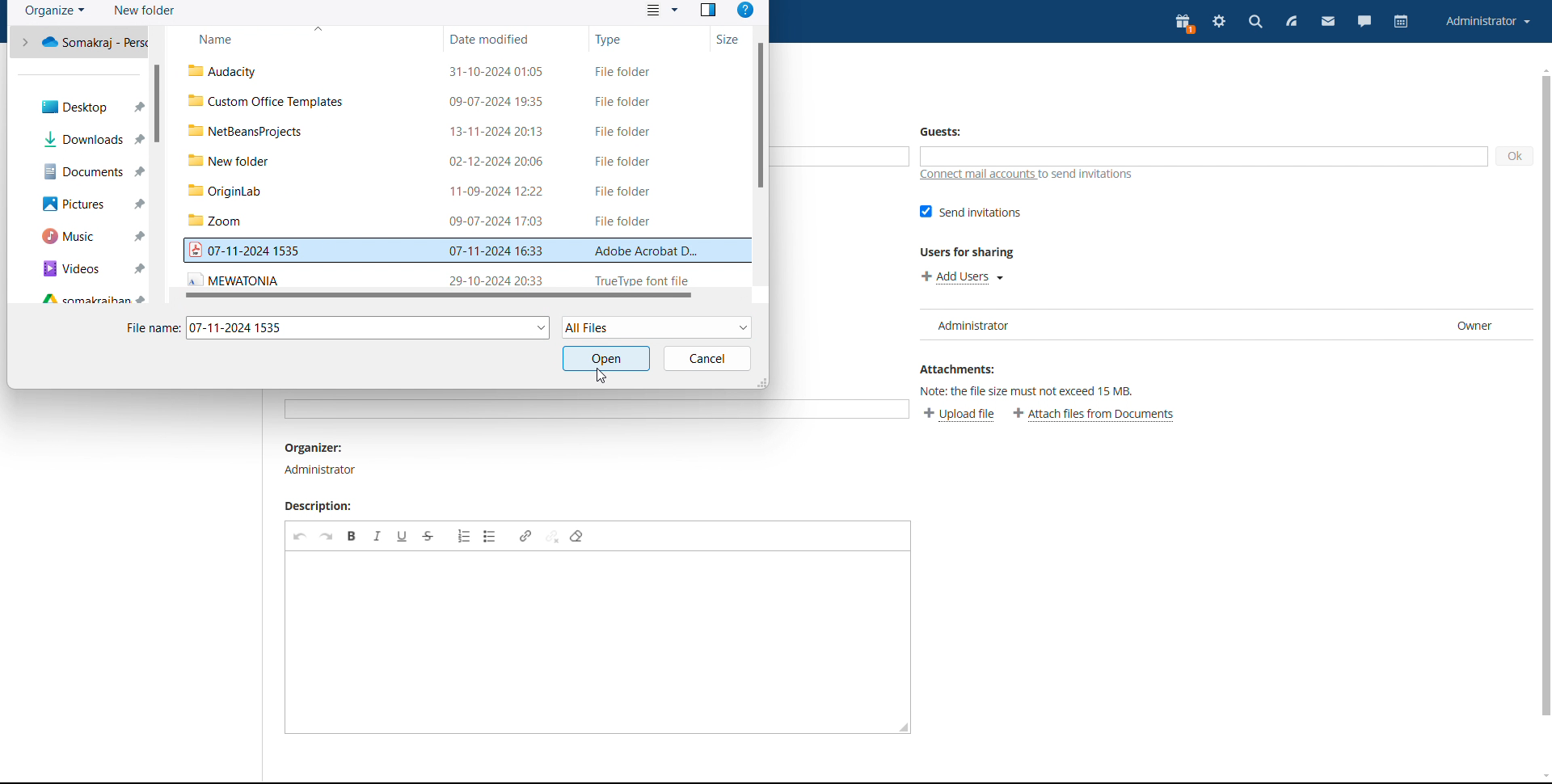  Describe the element at coordinates (1094, 415) in the screenshot. I see `attach files from documents` at that location.